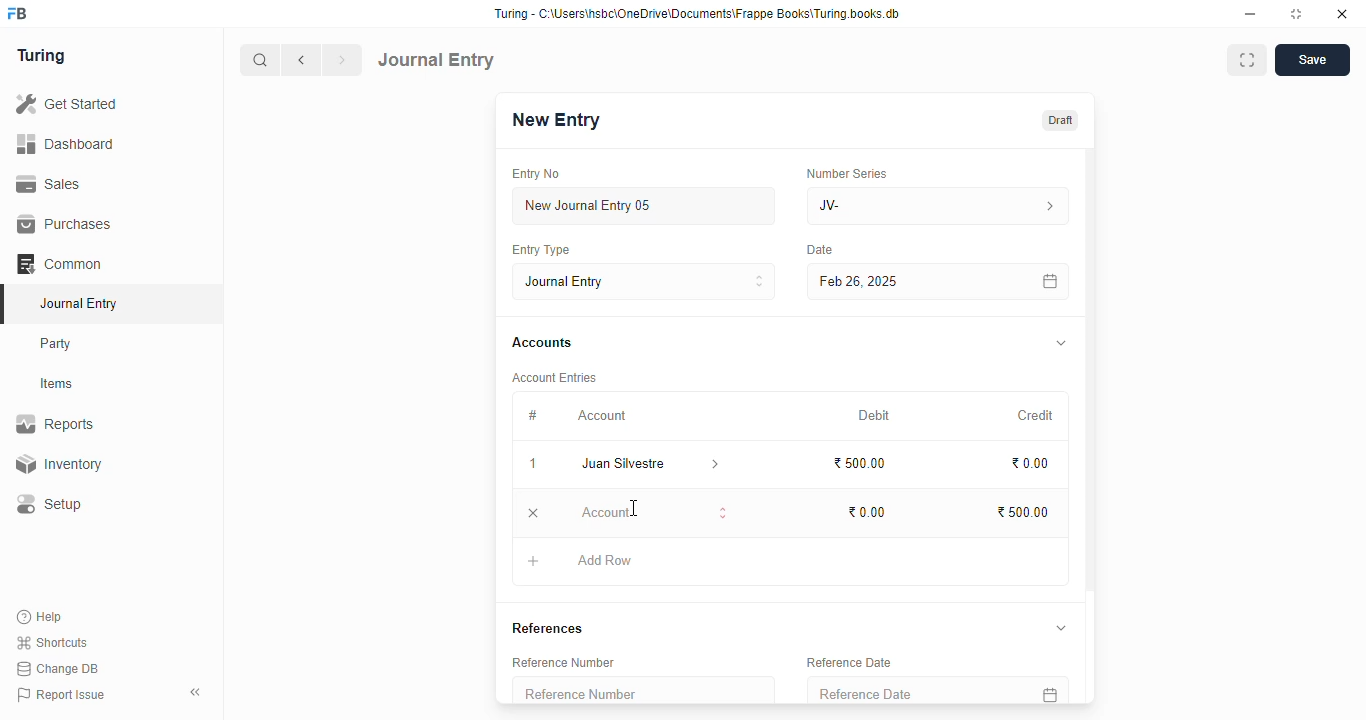  What do you see at coordinates (303, 60) in the screenshot?
I see `previous` at bounding box center [303, 60].